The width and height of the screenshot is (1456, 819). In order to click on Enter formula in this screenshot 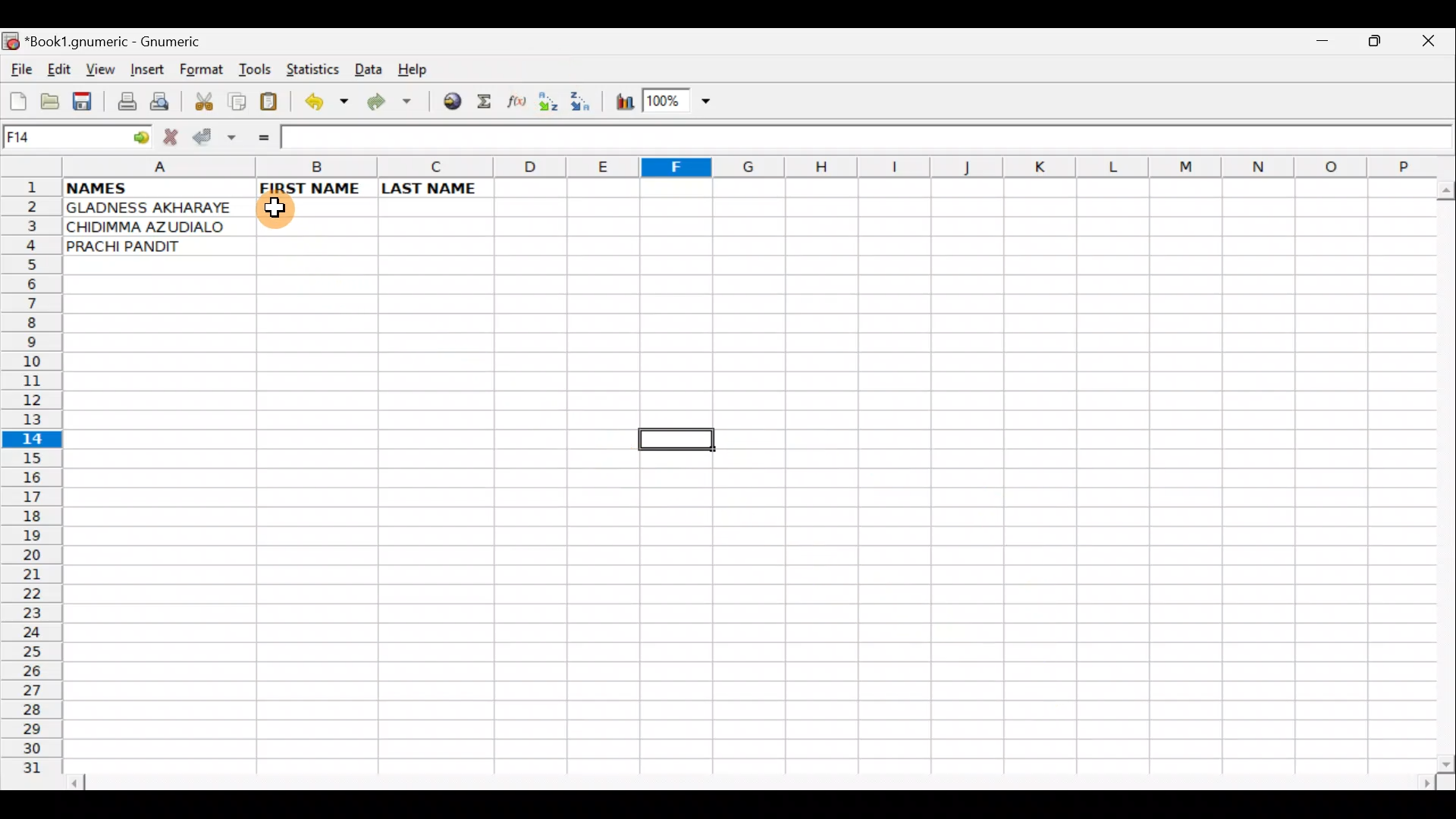, I will do `click(261, 138)`.